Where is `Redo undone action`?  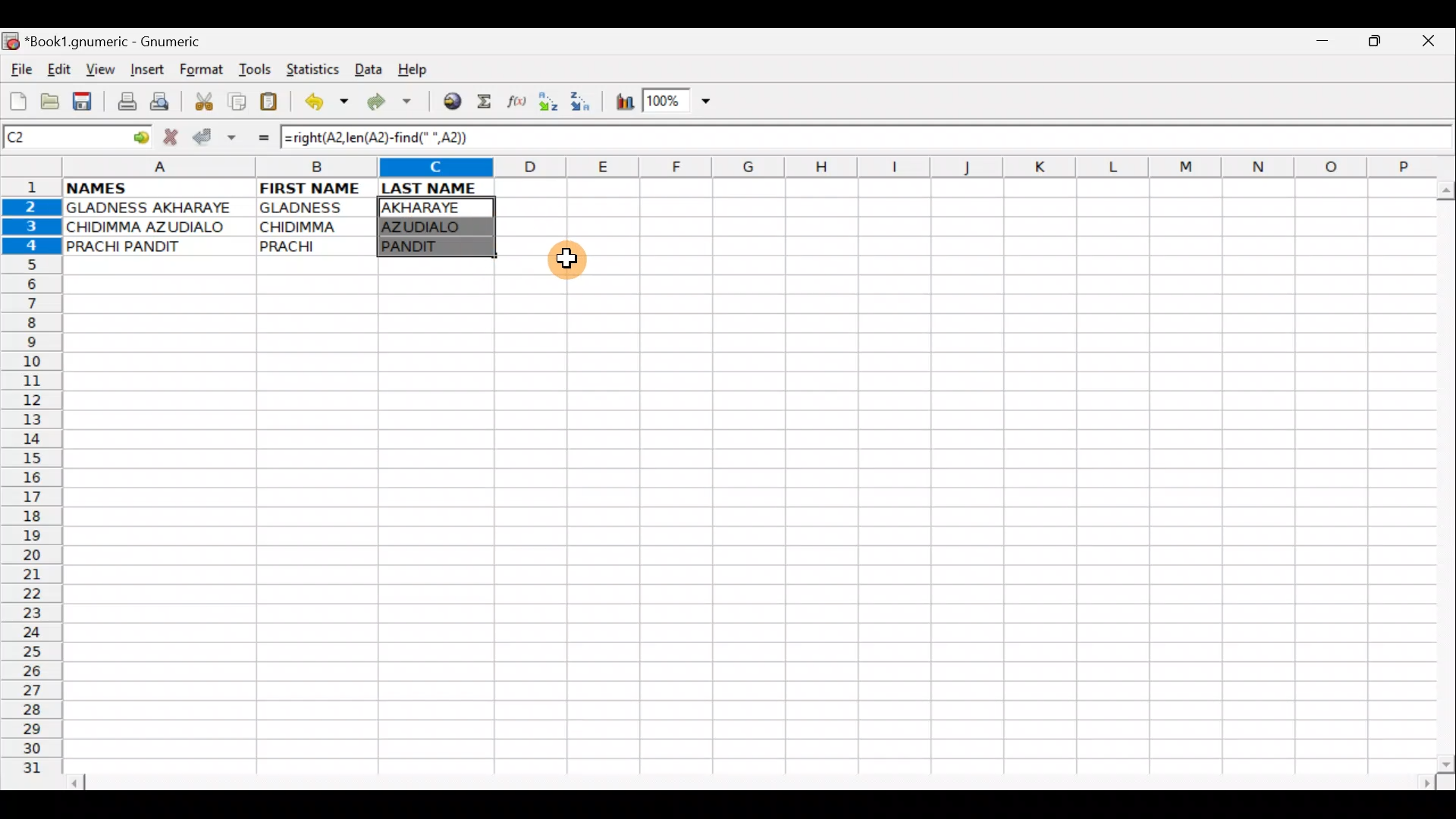
Redo undone action is located at coordinates (393, 104).